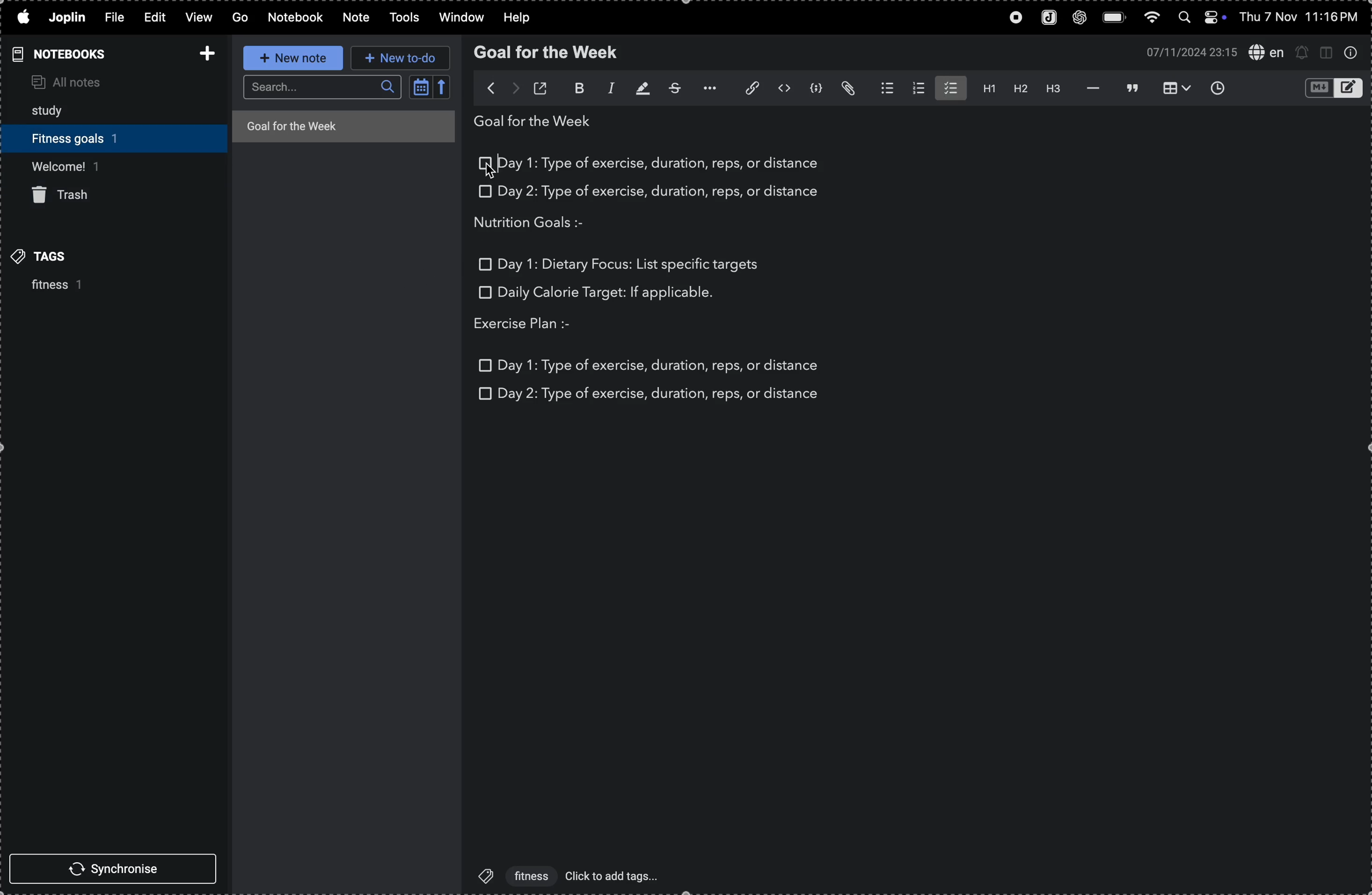 The height and width of the screenshot is (895, 1372). Describe the element at coordinates (483, 192) in the screenshot. I see `checkbox` at that location.